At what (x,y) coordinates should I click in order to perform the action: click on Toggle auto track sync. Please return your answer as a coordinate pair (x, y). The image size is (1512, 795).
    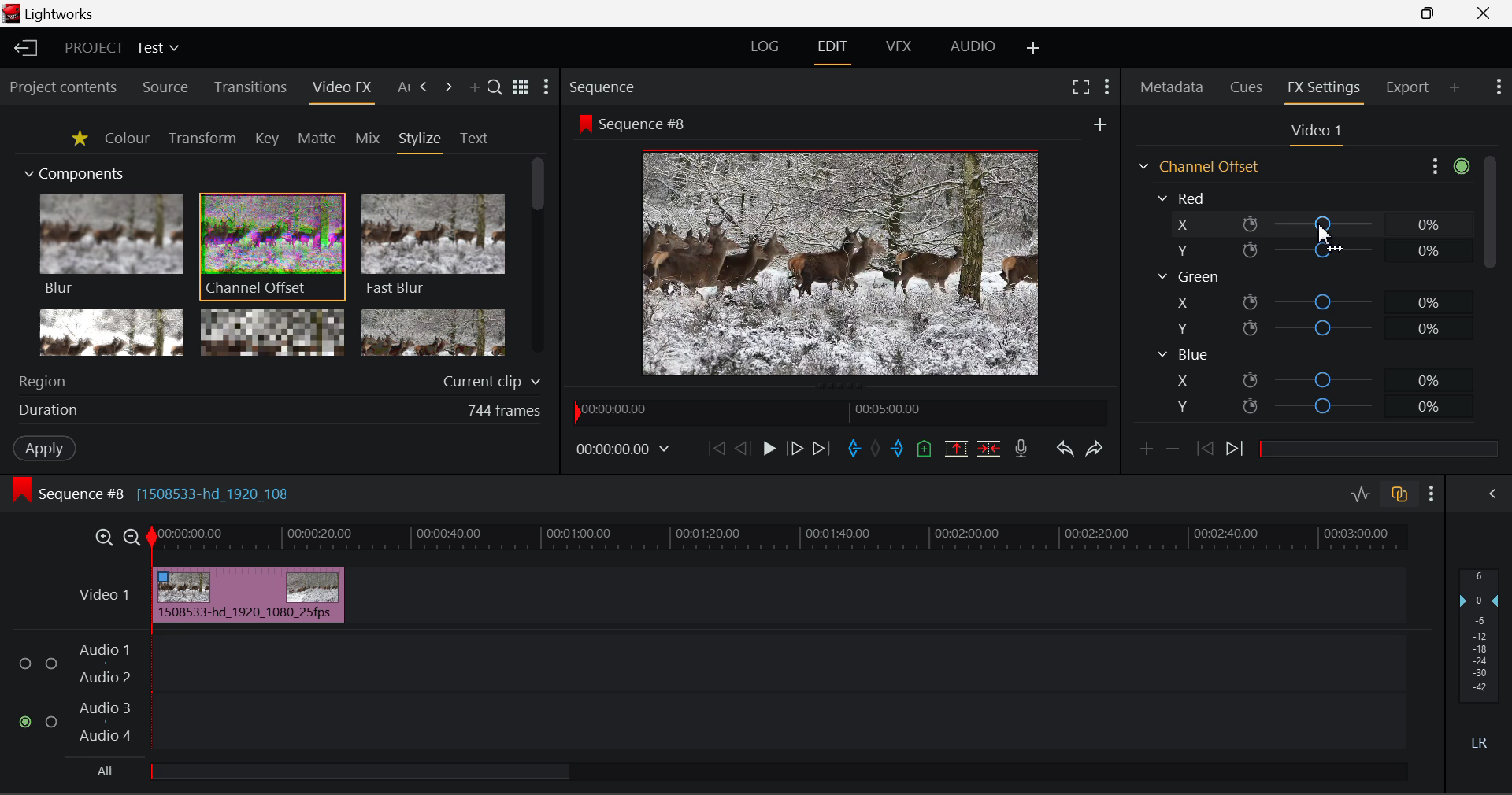
    Looking at the image, I should click on (1398, 494).